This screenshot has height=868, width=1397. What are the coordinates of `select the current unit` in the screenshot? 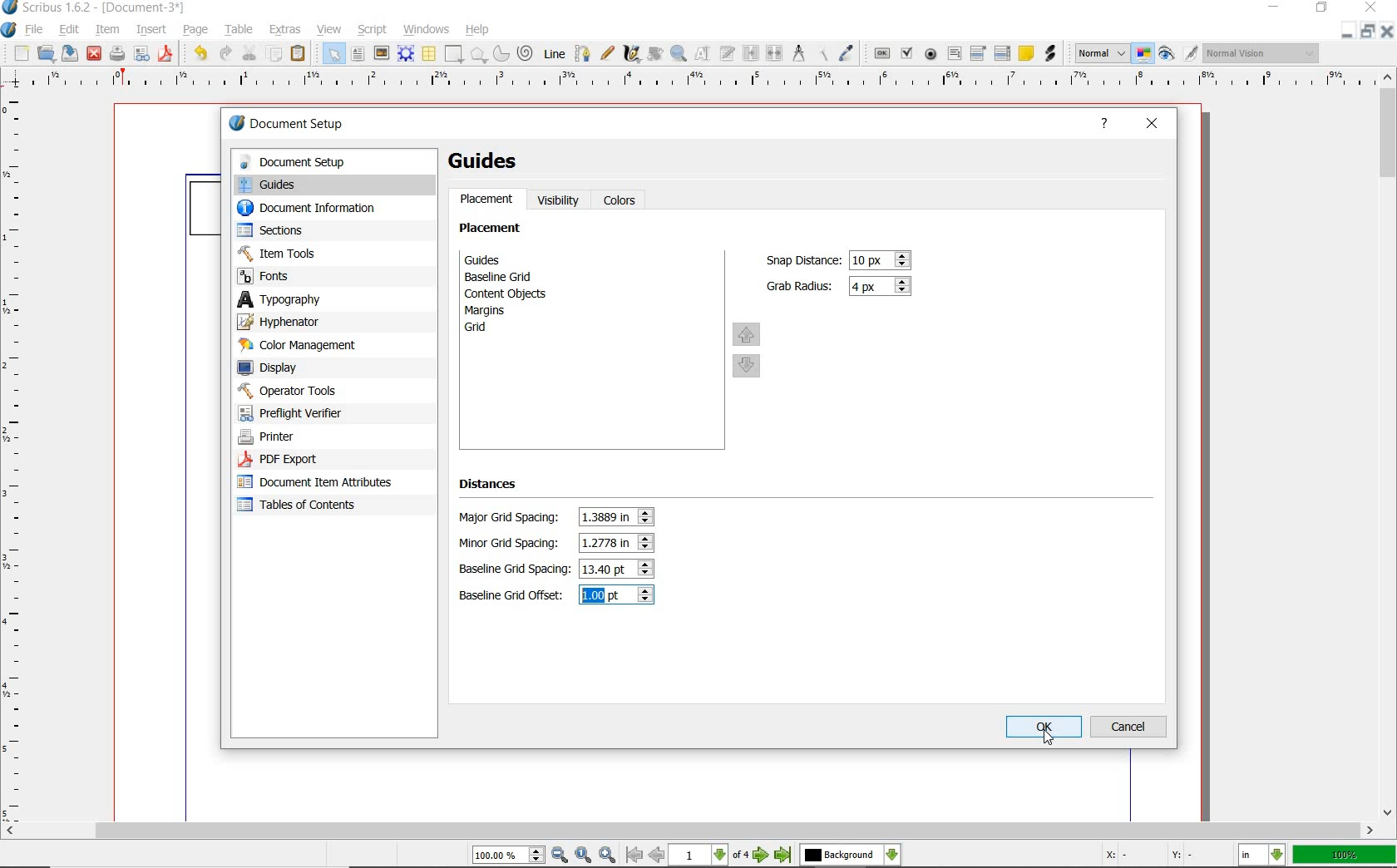 It's located at (1264, 856).